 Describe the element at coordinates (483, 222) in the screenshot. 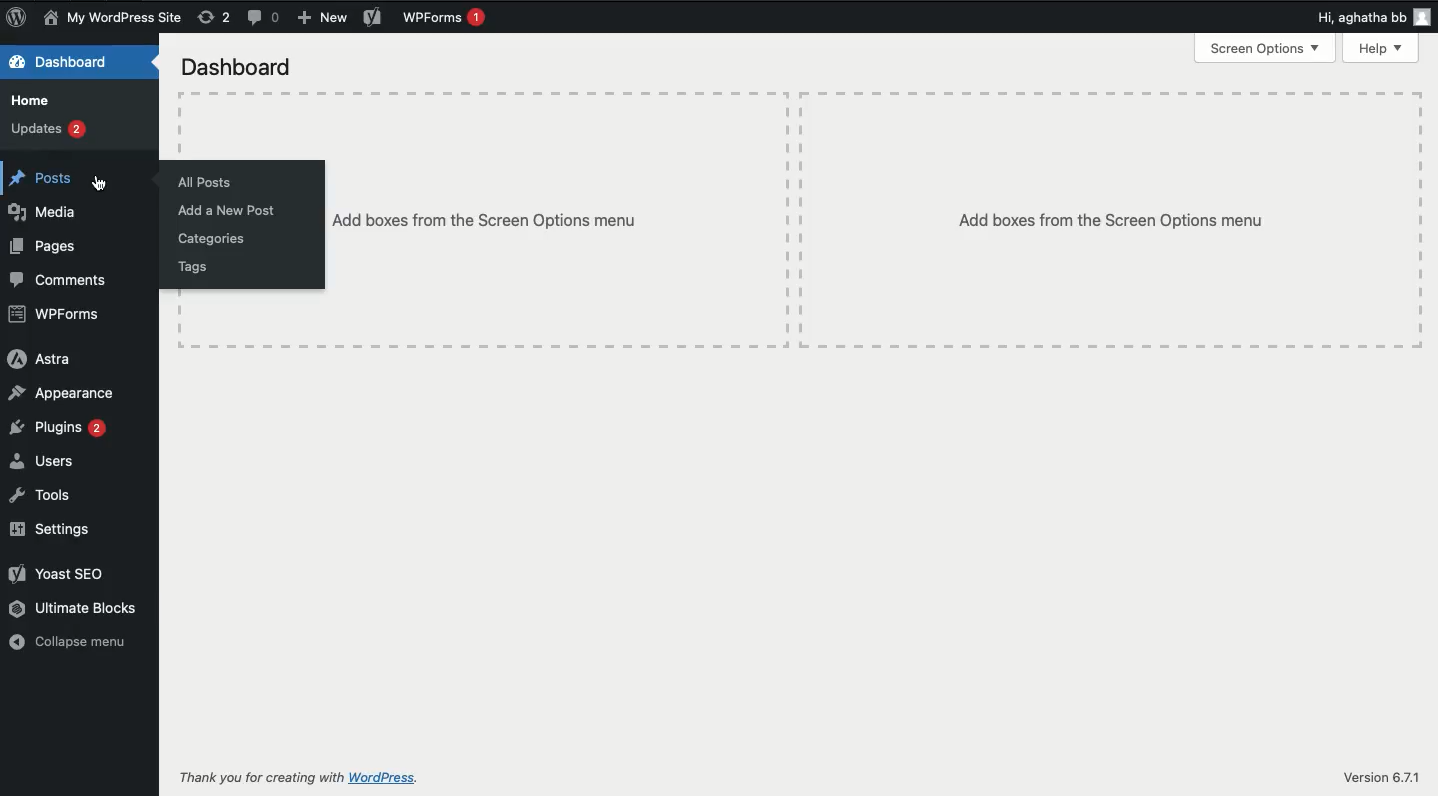

I see `Add boxes from the Screen options menu` at that location.